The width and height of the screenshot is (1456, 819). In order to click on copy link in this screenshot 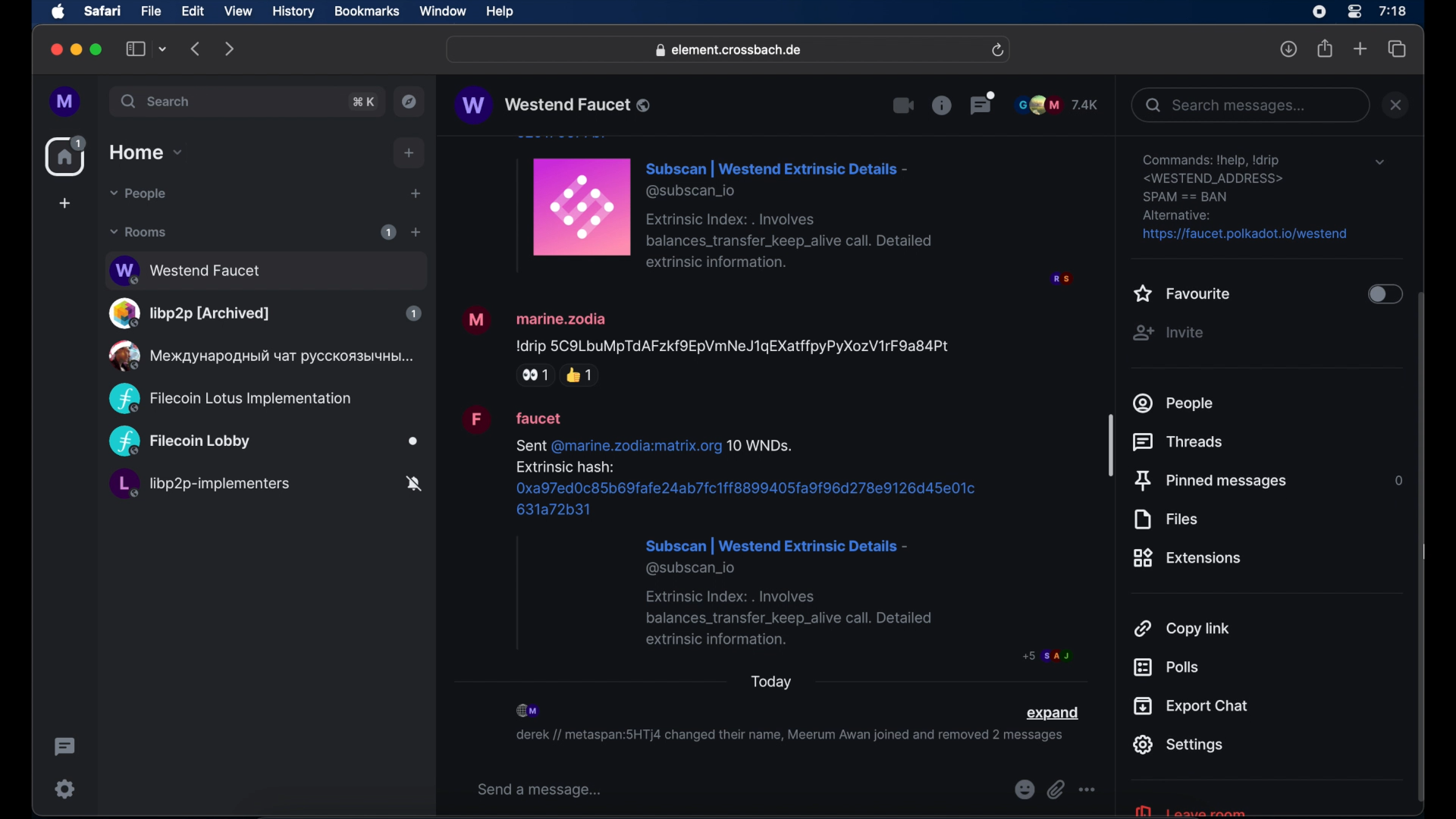, I will do `click(1183, 627)`.